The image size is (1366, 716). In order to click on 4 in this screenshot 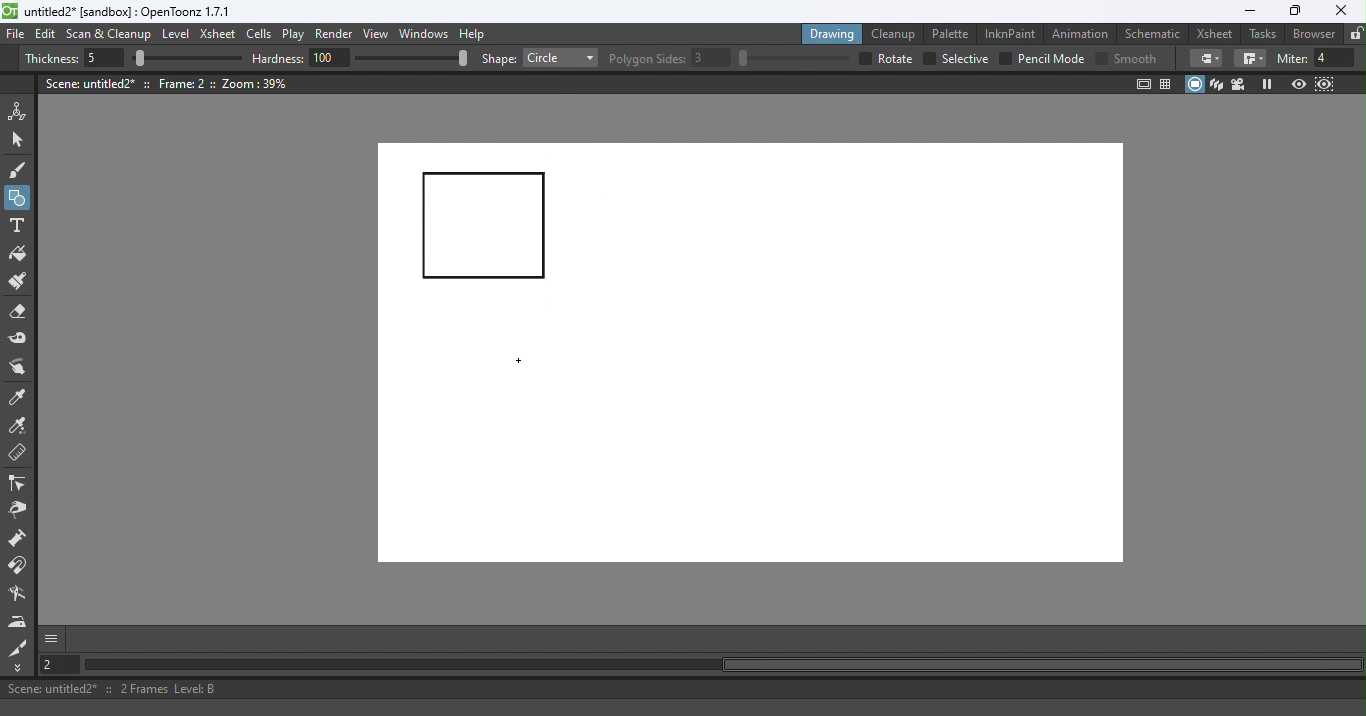, I will do `click(1335, 58)`.